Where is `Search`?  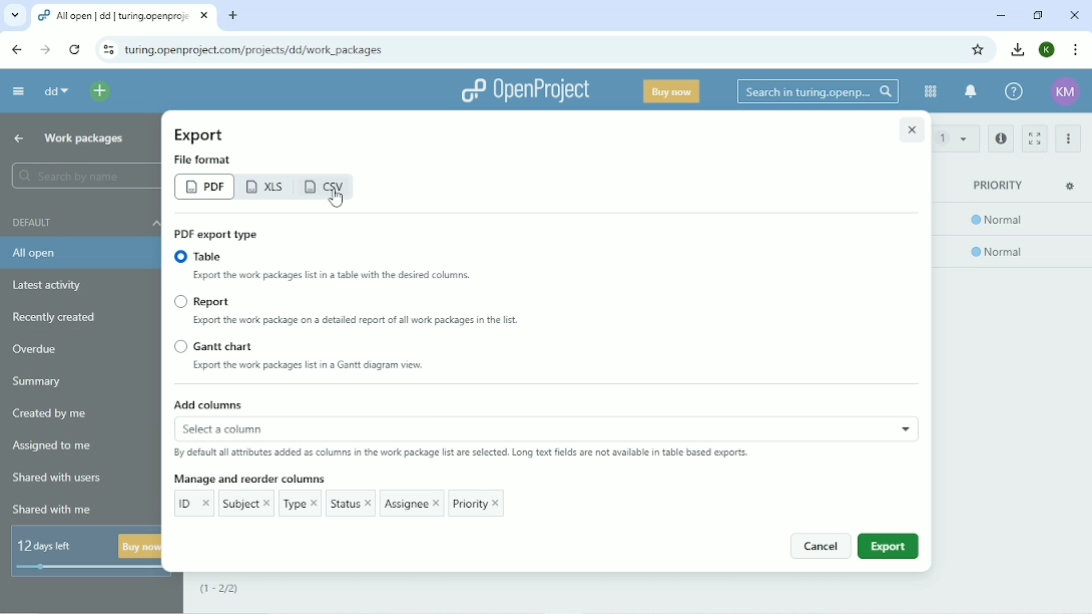
Search is located at coordinates (816, 91).